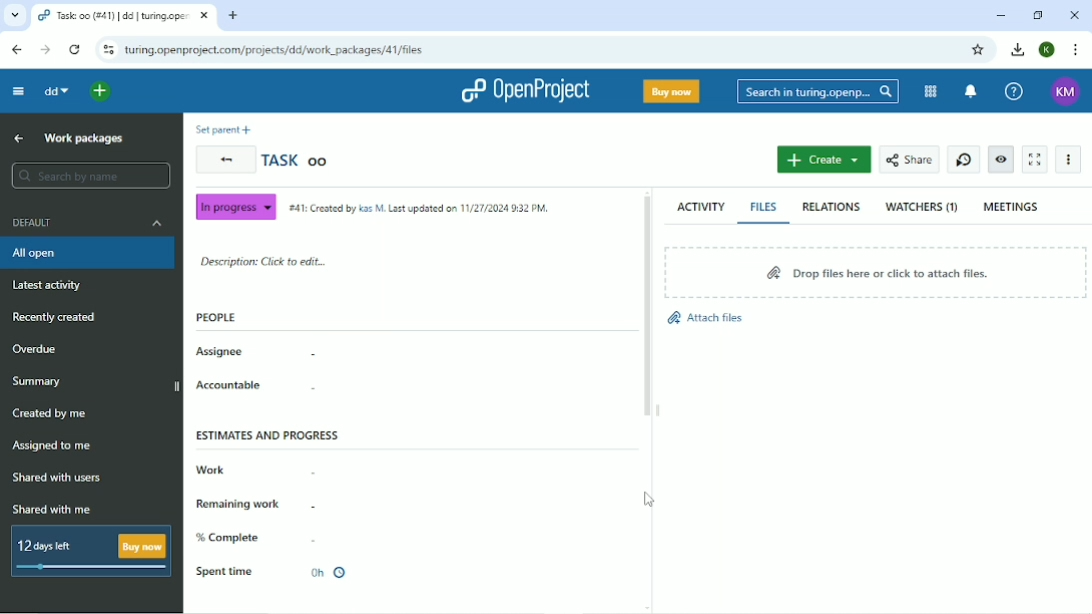 Image resolution: width=1092 pixels, height=614 pixels. What do you see at coordinates (650, 608) in the screenshot?
I see `scroll down` at bounding box center [650, 608].